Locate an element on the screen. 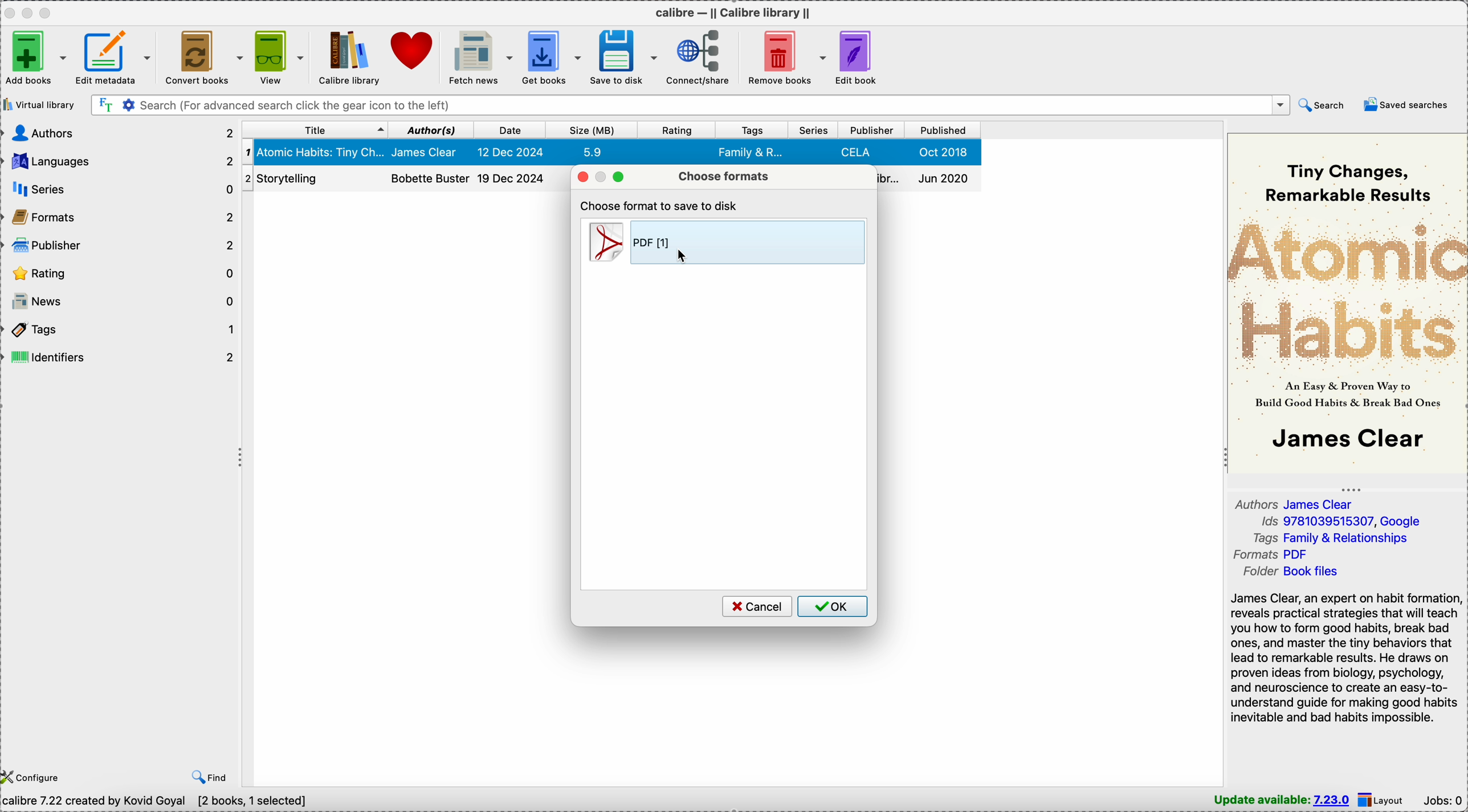  news is located at coordinates (121, 302).